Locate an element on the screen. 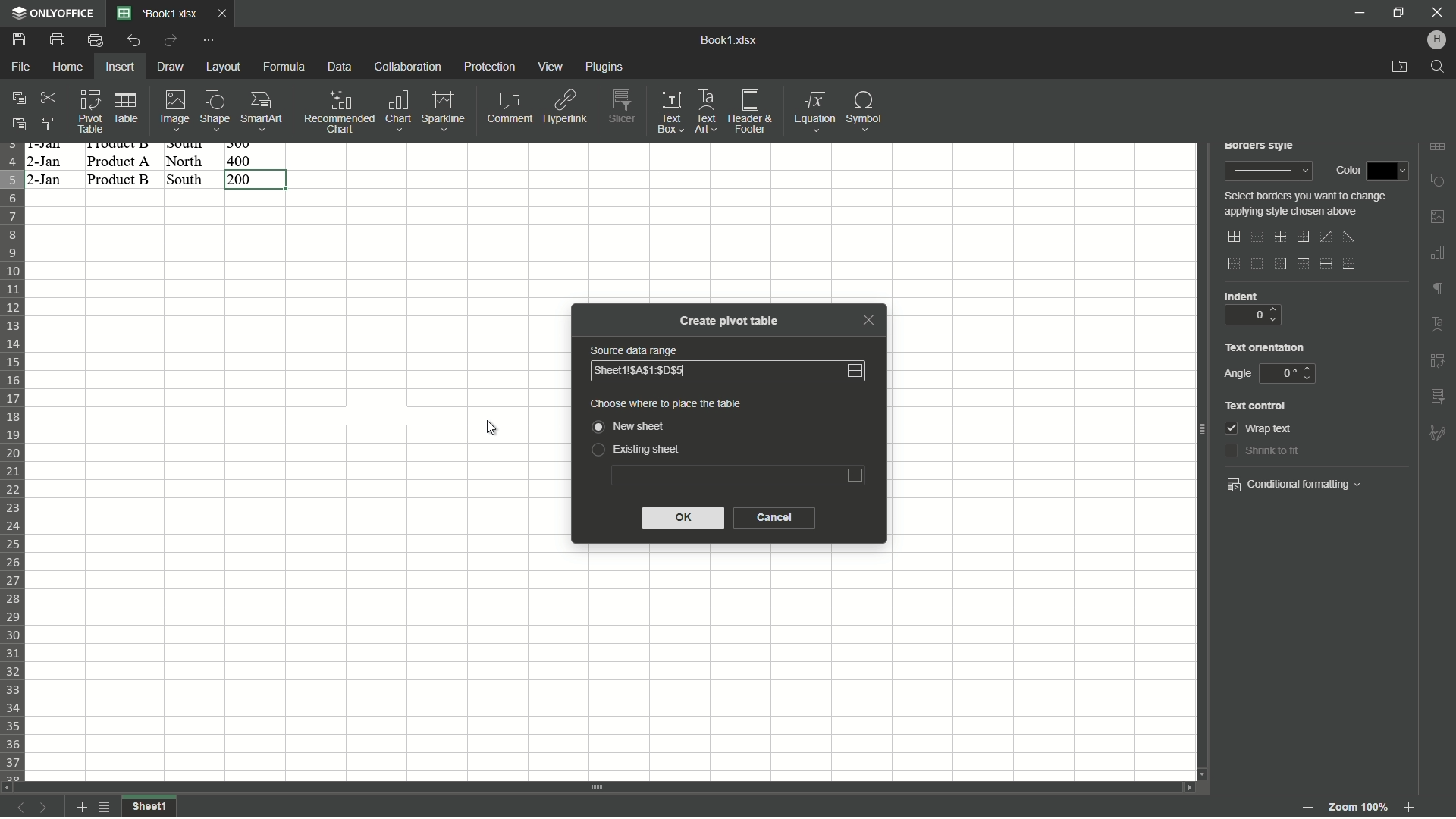 This screenshot has height=819, width=1456. Equations is located at coordinates (815, 112).